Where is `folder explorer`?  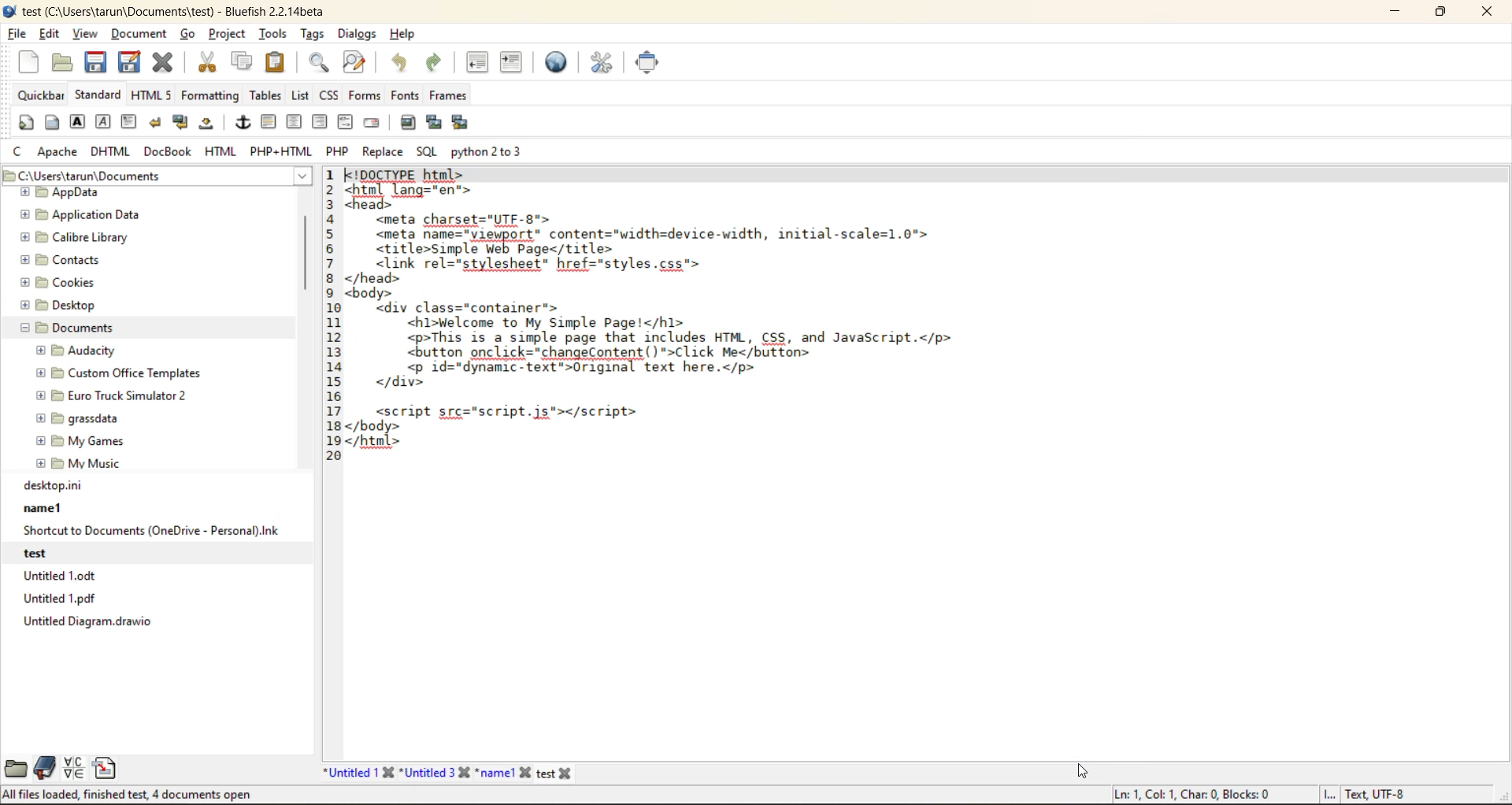
folder explorer is located at coordinates (140, 332).